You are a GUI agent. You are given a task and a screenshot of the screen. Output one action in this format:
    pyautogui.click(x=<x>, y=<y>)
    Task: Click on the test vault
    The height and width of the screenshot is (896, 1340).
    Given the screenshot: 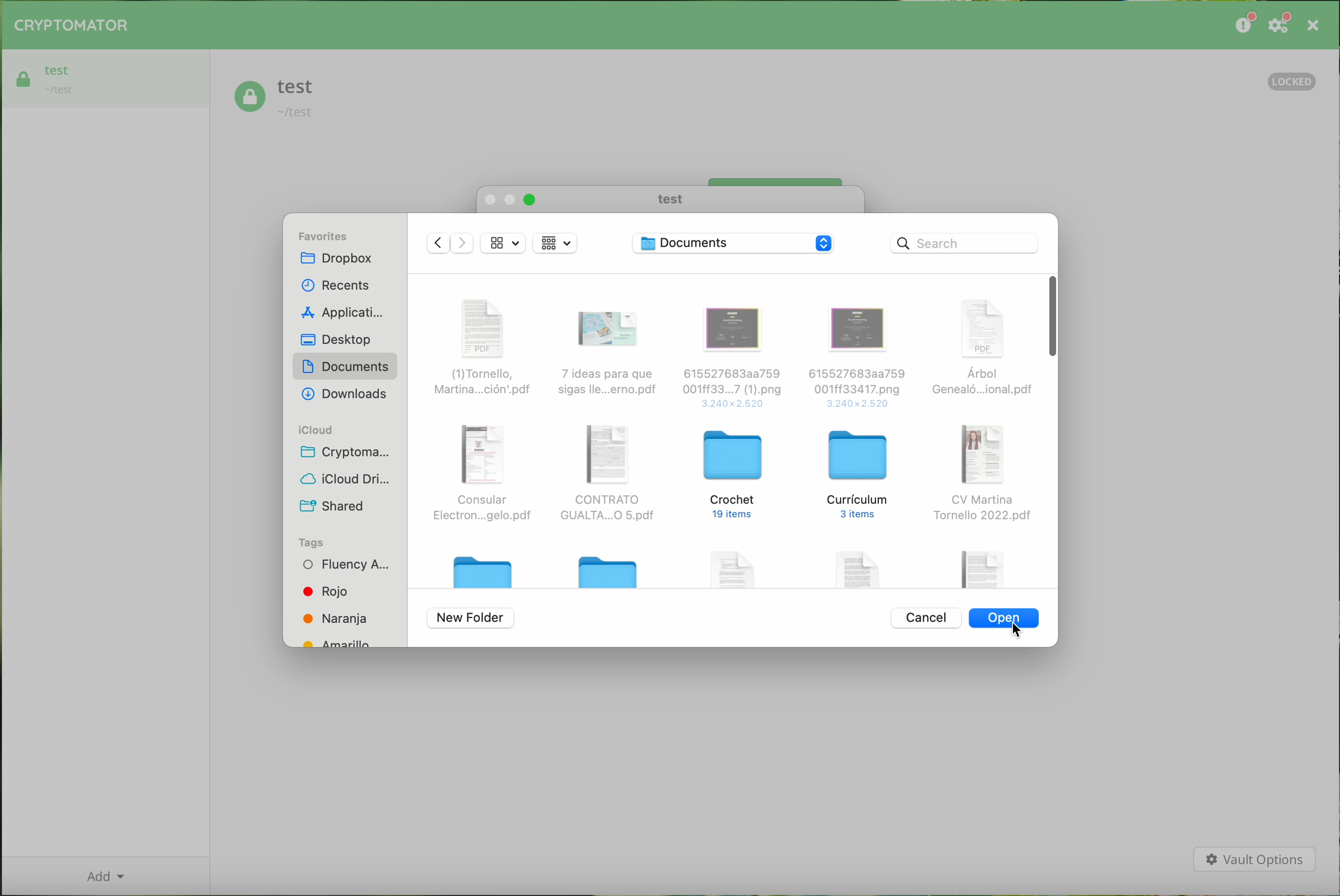 What is the action you would take?
    pyautogui.click(x=275, y=99)
    